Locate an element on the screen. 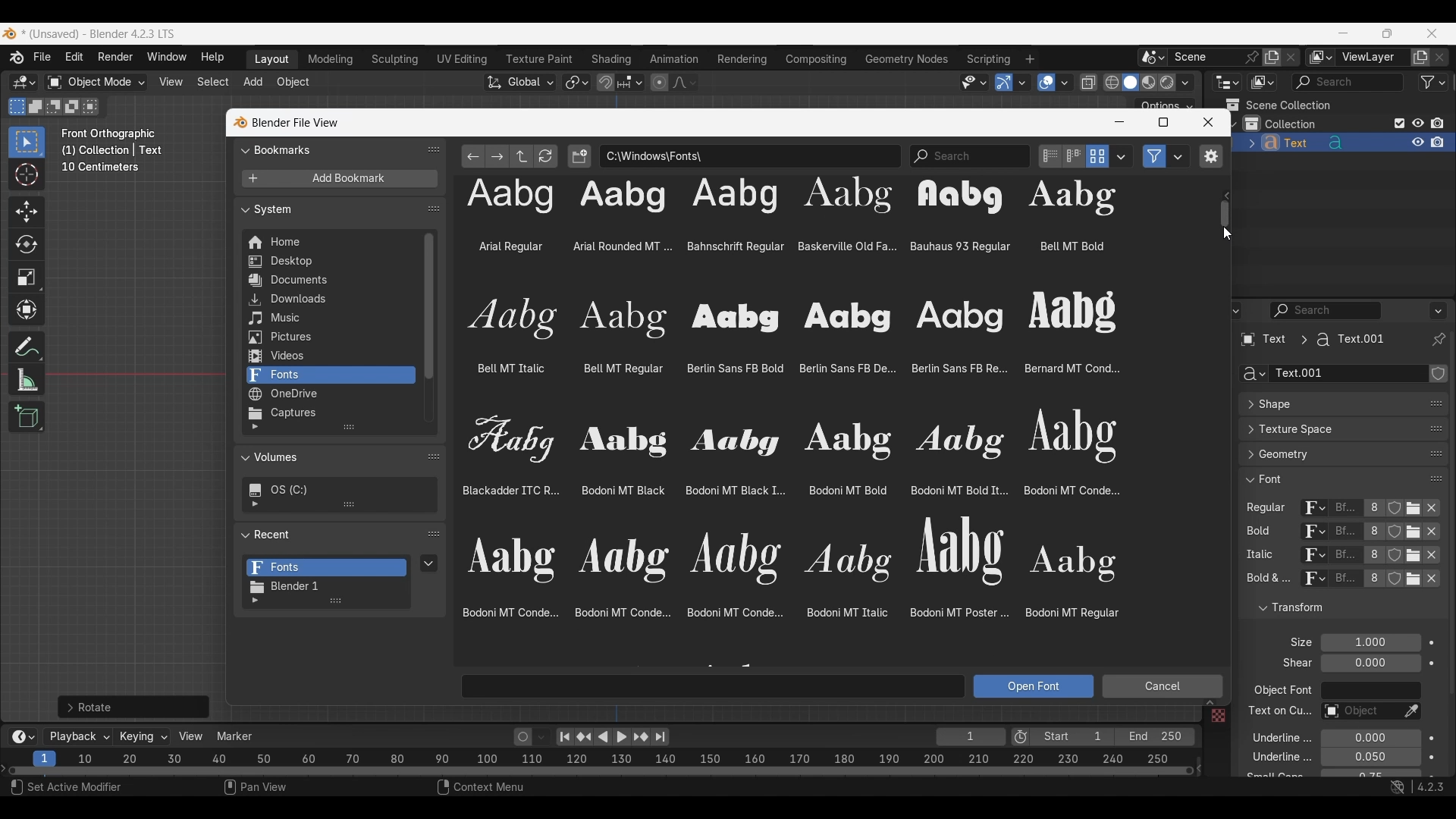 Image resolution: width=1456 pixels, height=819 pixels. Animation workspace is located at coordinates (674, 60).